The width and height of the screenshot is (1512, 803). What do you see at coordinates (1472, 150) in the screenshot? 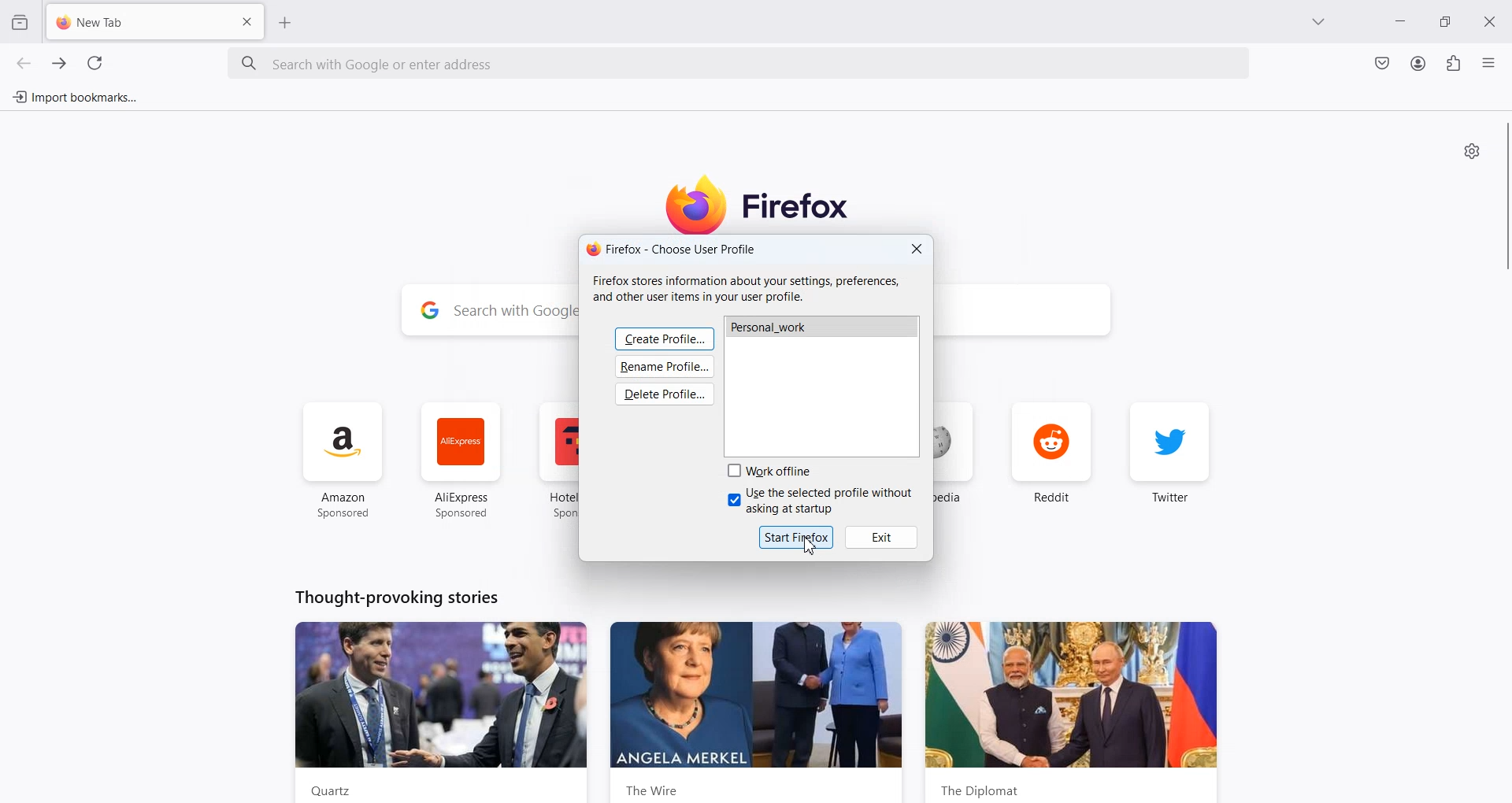
I see `Personalize new tab ` at bounding box center [1472, 150].